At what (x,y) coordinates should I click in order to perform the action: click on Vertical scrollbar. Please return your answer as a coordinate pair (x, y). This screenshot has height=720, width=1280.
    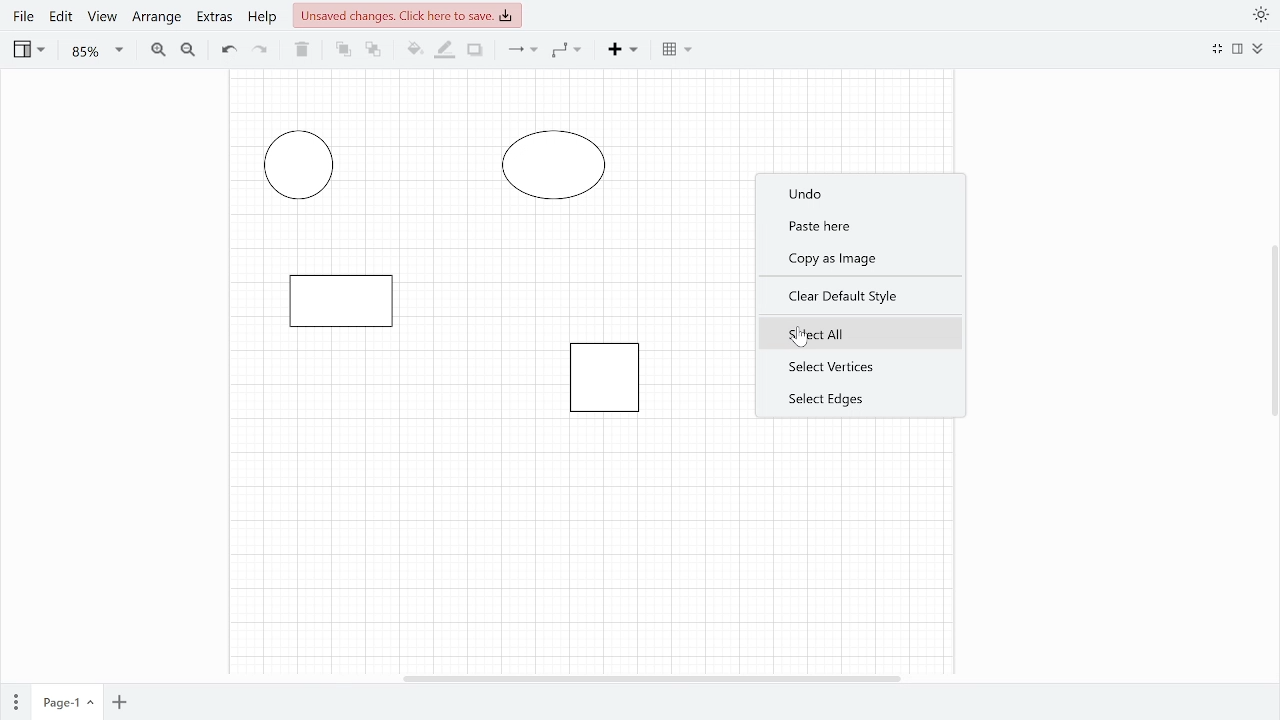
    Looking at the image, I should click on (1270, 333).